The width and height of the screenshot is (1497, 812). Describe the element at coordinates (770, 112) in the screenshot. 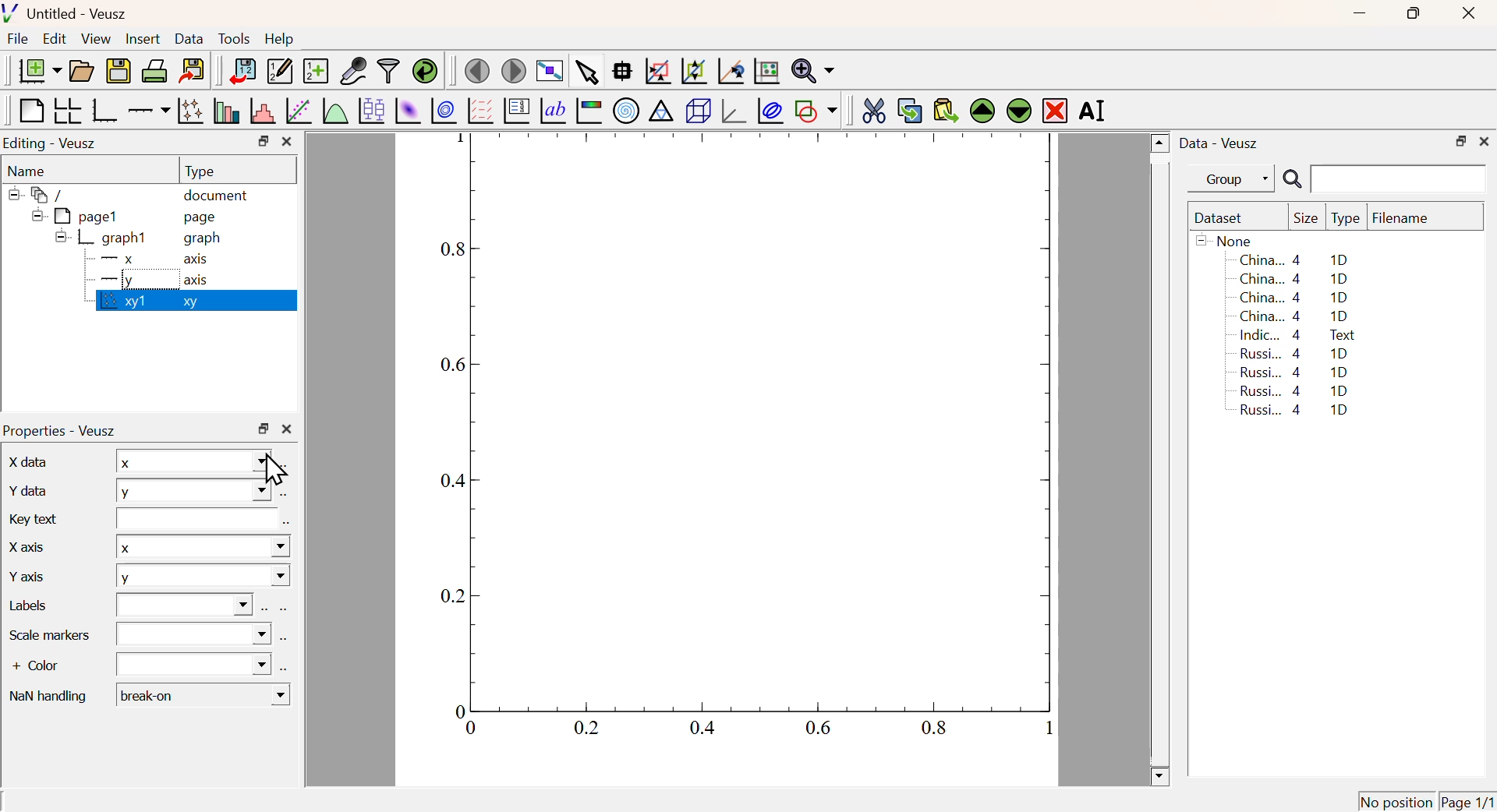

I see `Plot Covariance Ellipses` at that location.